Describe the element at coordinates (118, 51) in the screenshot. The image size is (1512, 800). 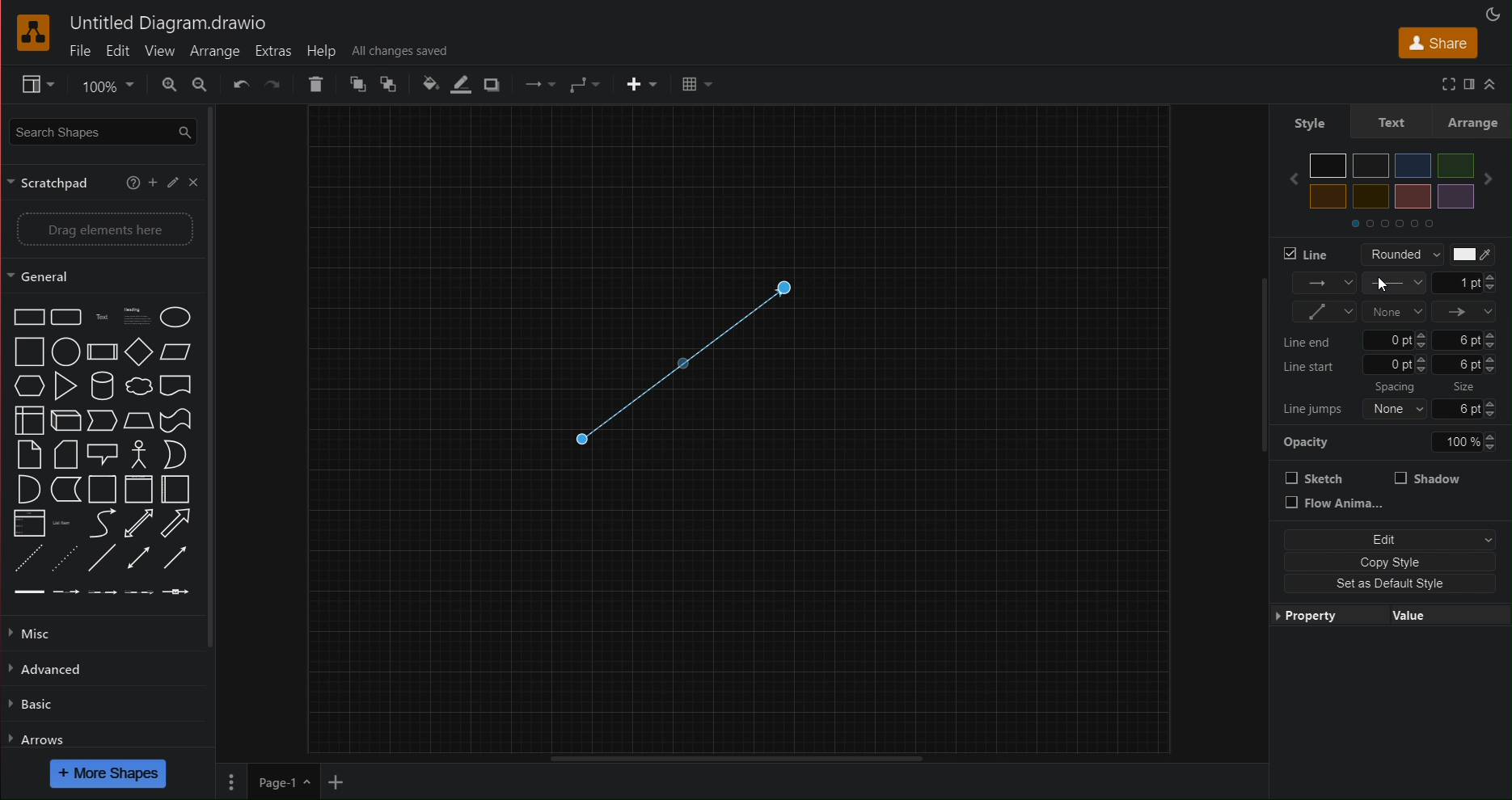
I see `Edit` at that location.